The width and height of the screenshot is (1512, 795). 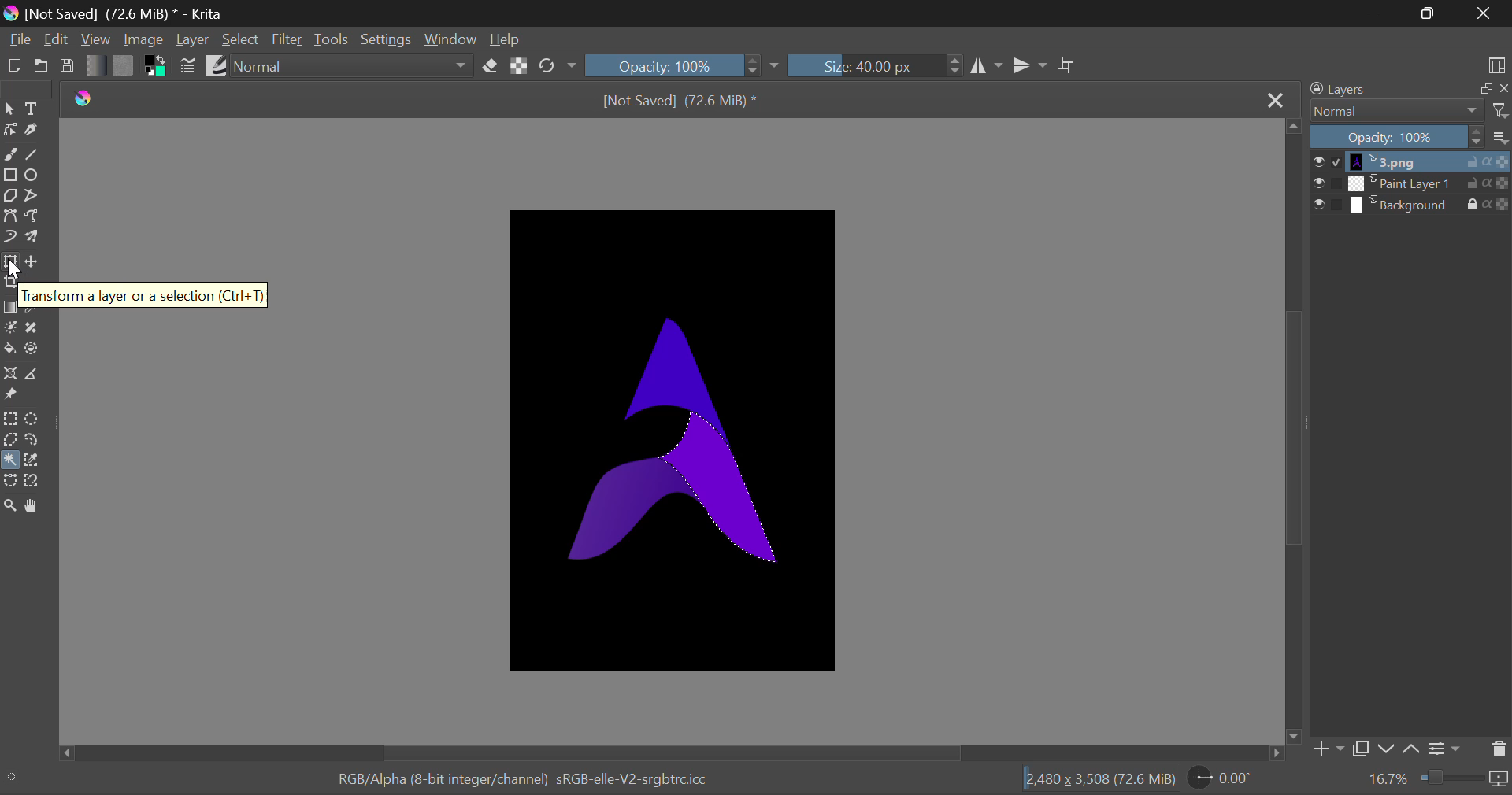 What do you see at coordinates (241, 39) in the screenshot?
I see `Select` at bounding box center [241, 39].